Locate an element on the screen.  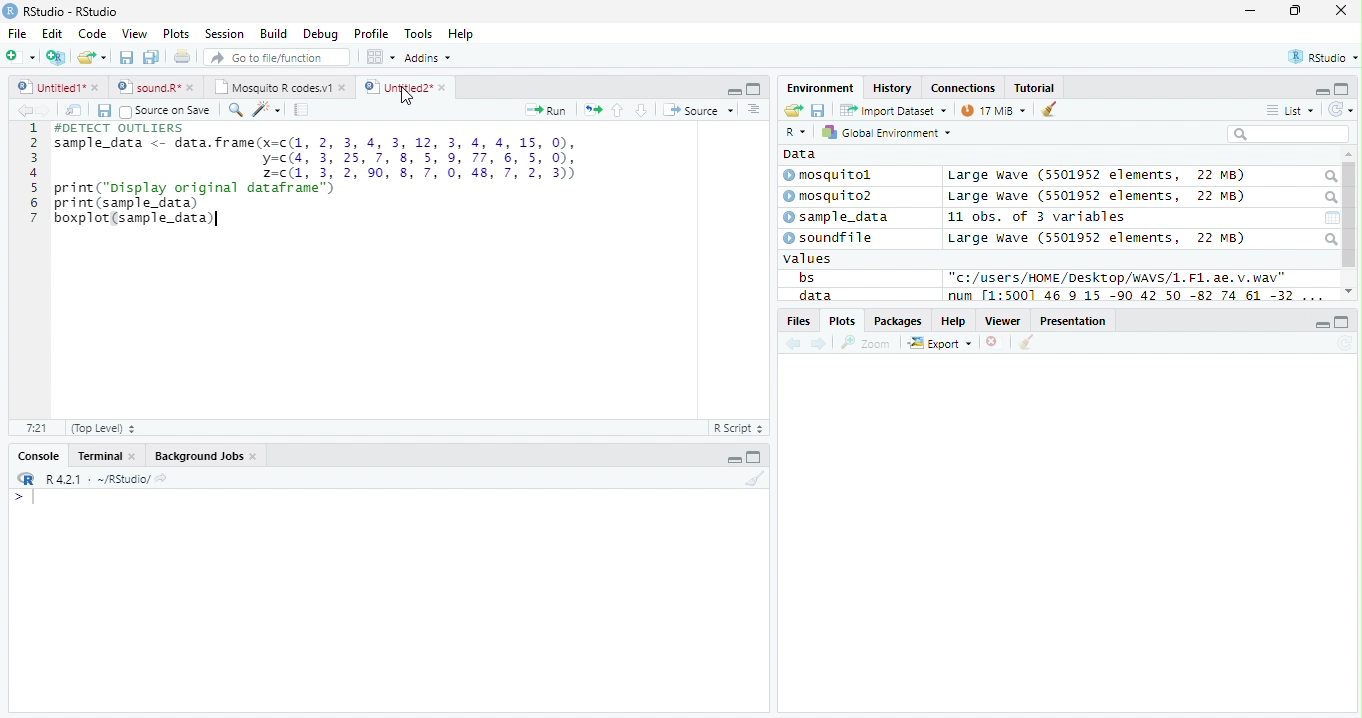
Import Dataset is located at coordinates (893, 111).